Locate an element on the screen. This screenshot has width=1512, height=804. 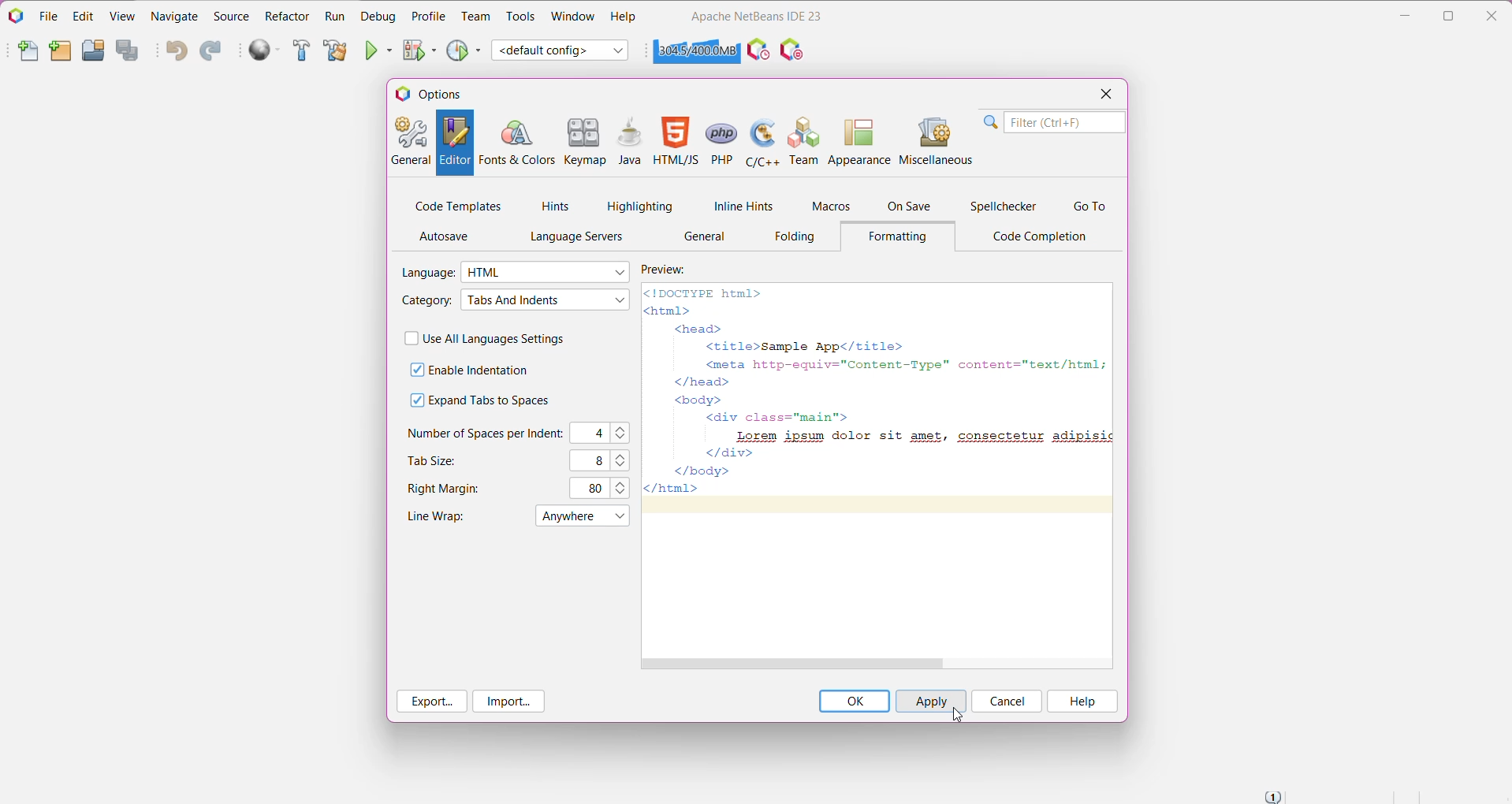
Refactor is located at coordinates (287, 16).